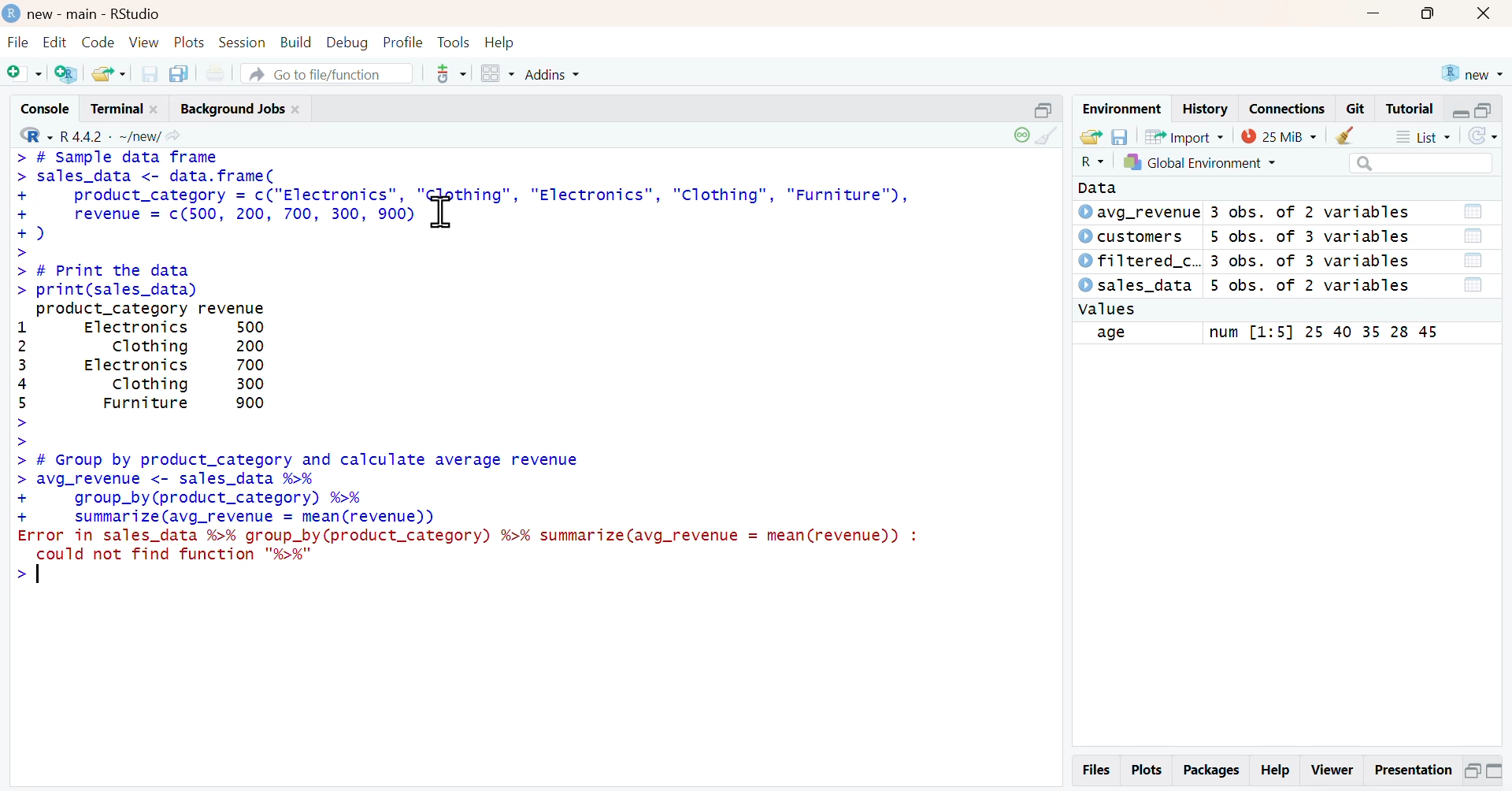  Describe the element at coordinates (121, 136) in the screenshot. I see `R 4.4.2 . ~/new/` at that location.